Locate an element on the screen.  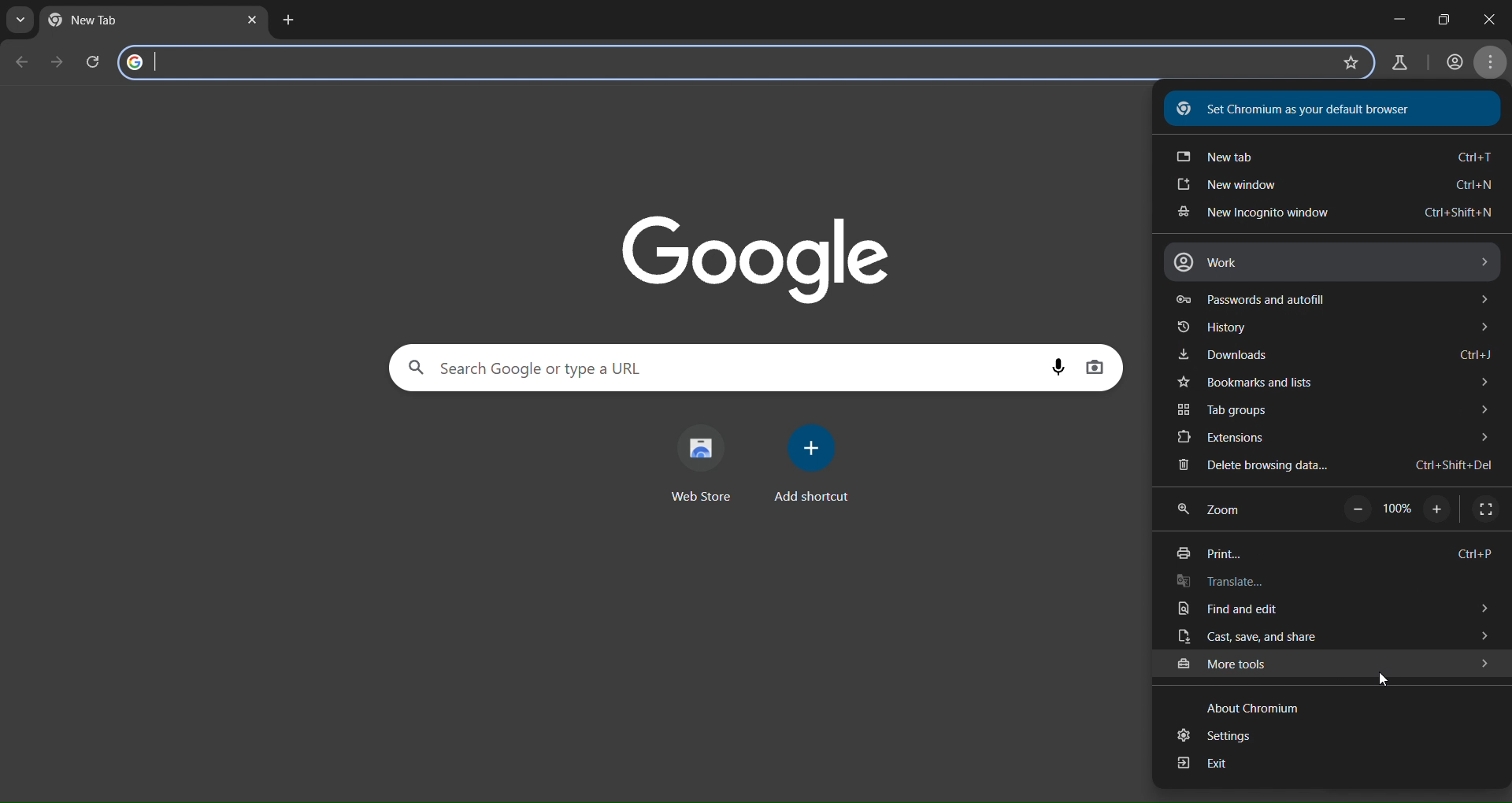
search is located at coordinates (533, 367).